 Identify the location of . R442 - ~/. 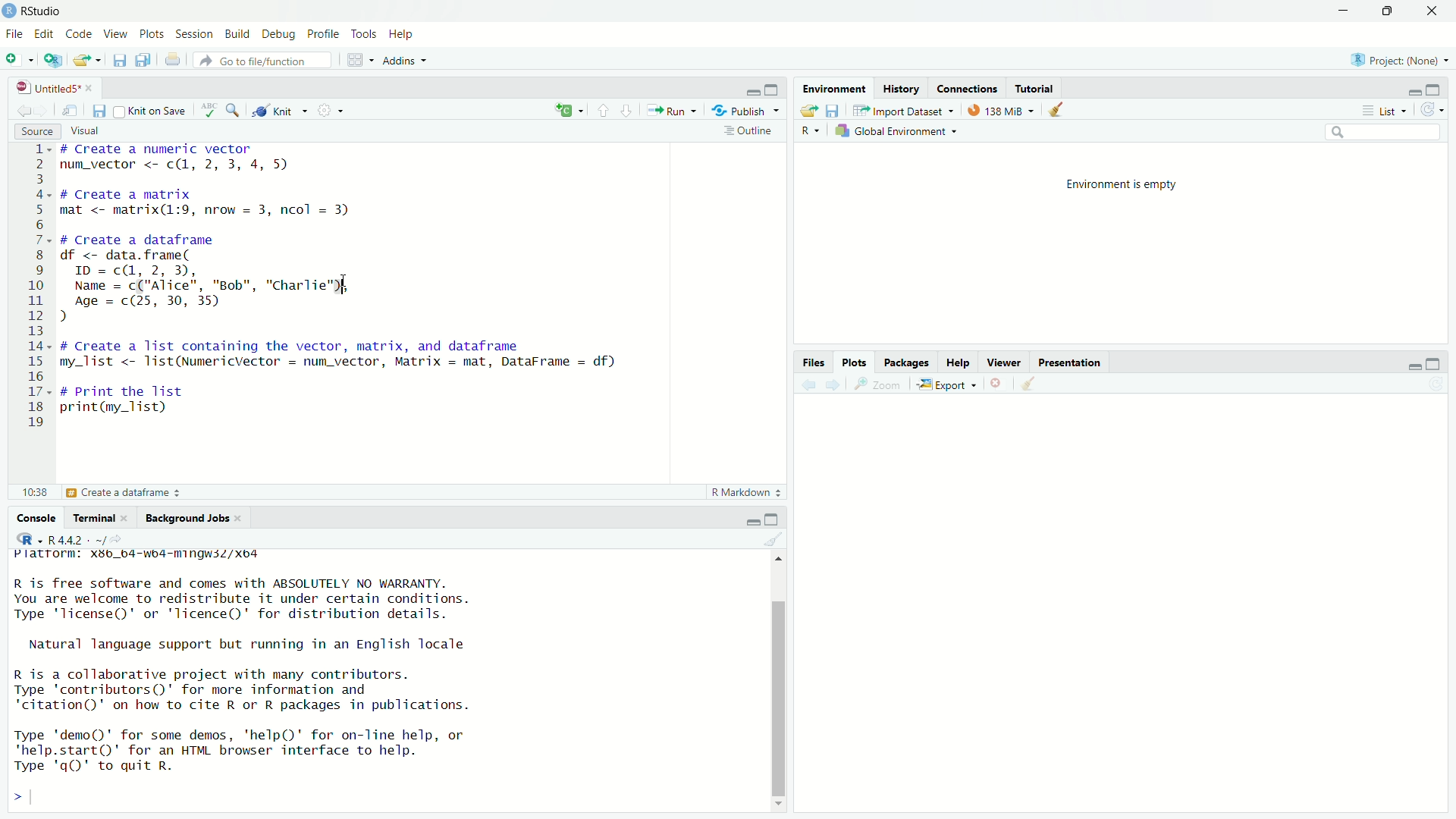
(63, 538).